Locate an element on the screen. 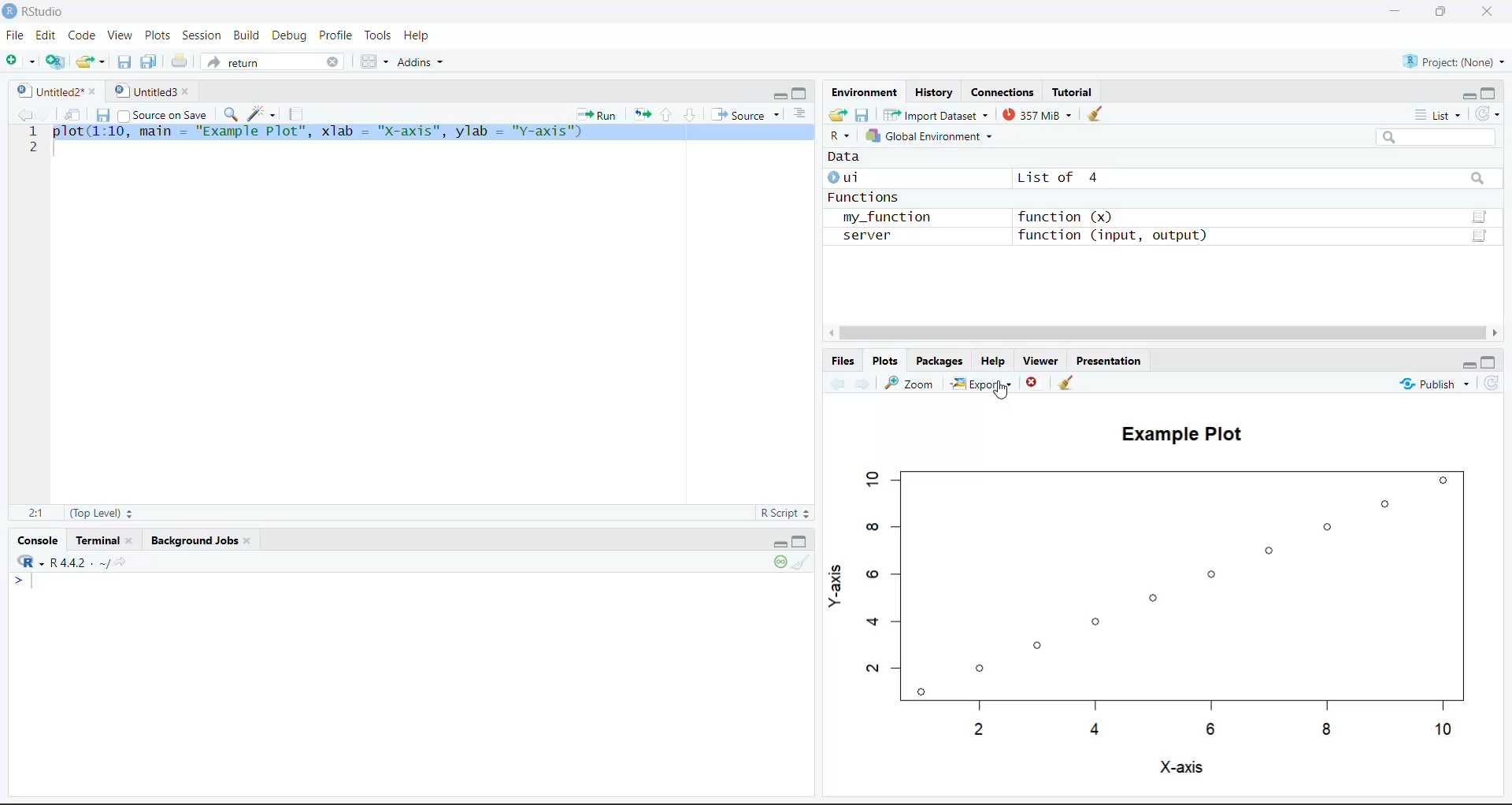 Image resolution: width=1512 pixels, height=805 pixels. Publish is located at coordinates (1434, 382).